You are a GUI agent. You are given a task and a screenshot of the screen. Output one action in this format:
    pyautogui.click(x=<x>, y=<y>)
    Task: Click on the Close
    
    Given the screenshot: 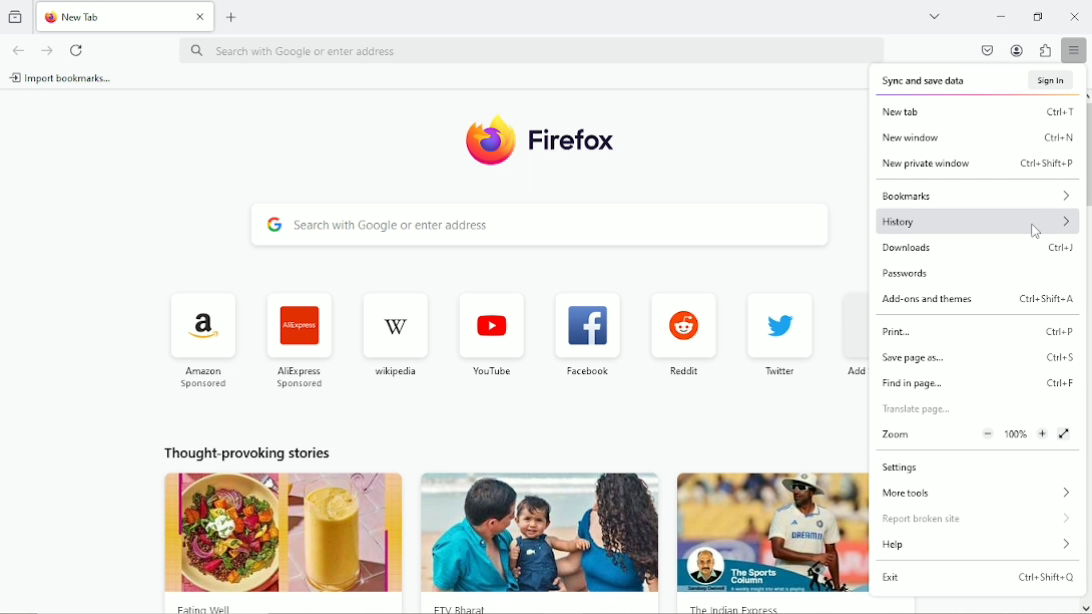 What is the action you would take?
    pyautogui.click(x=1076, y=17)
    